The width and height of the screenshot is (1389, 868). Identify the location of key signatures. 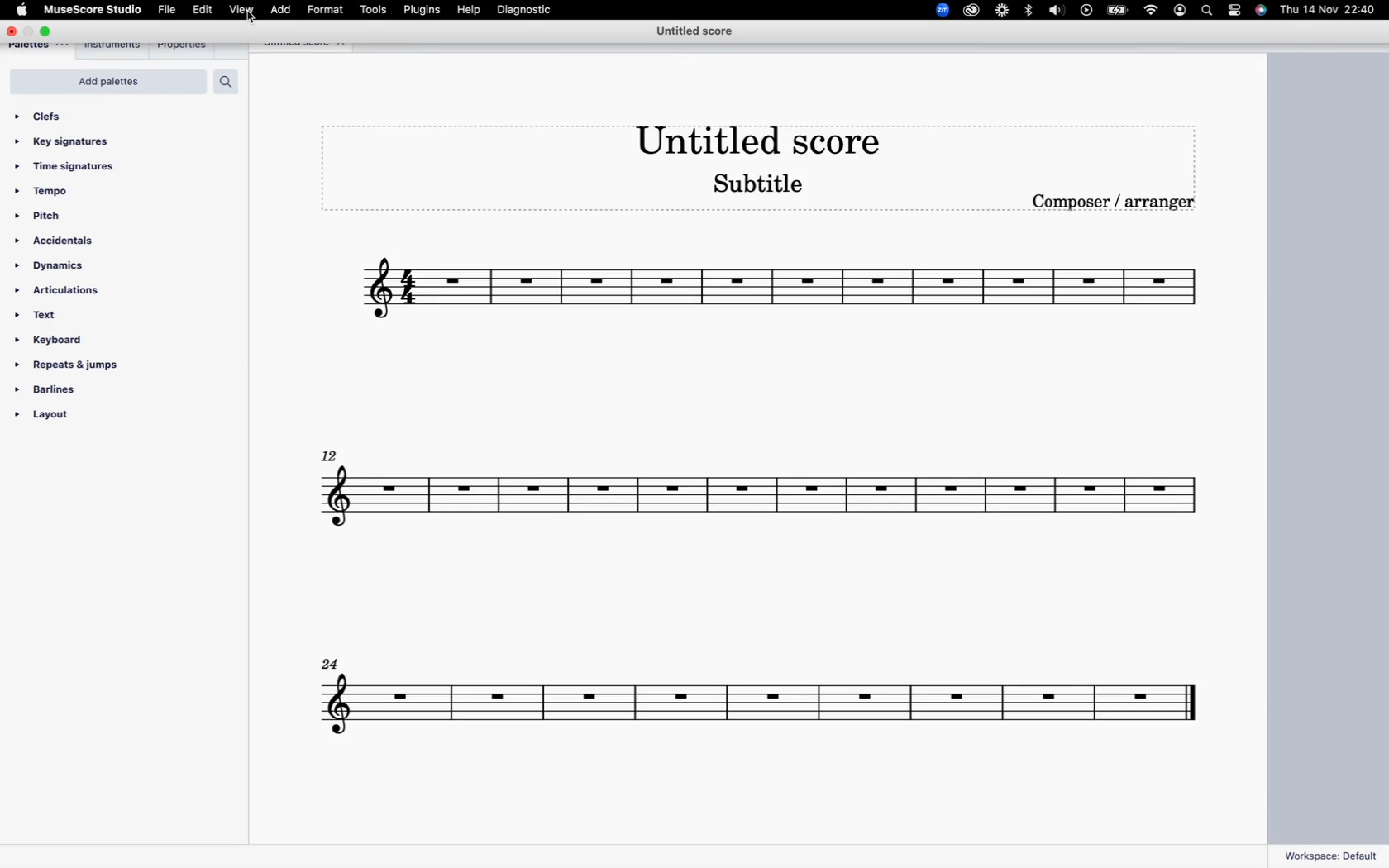
(70, 142).